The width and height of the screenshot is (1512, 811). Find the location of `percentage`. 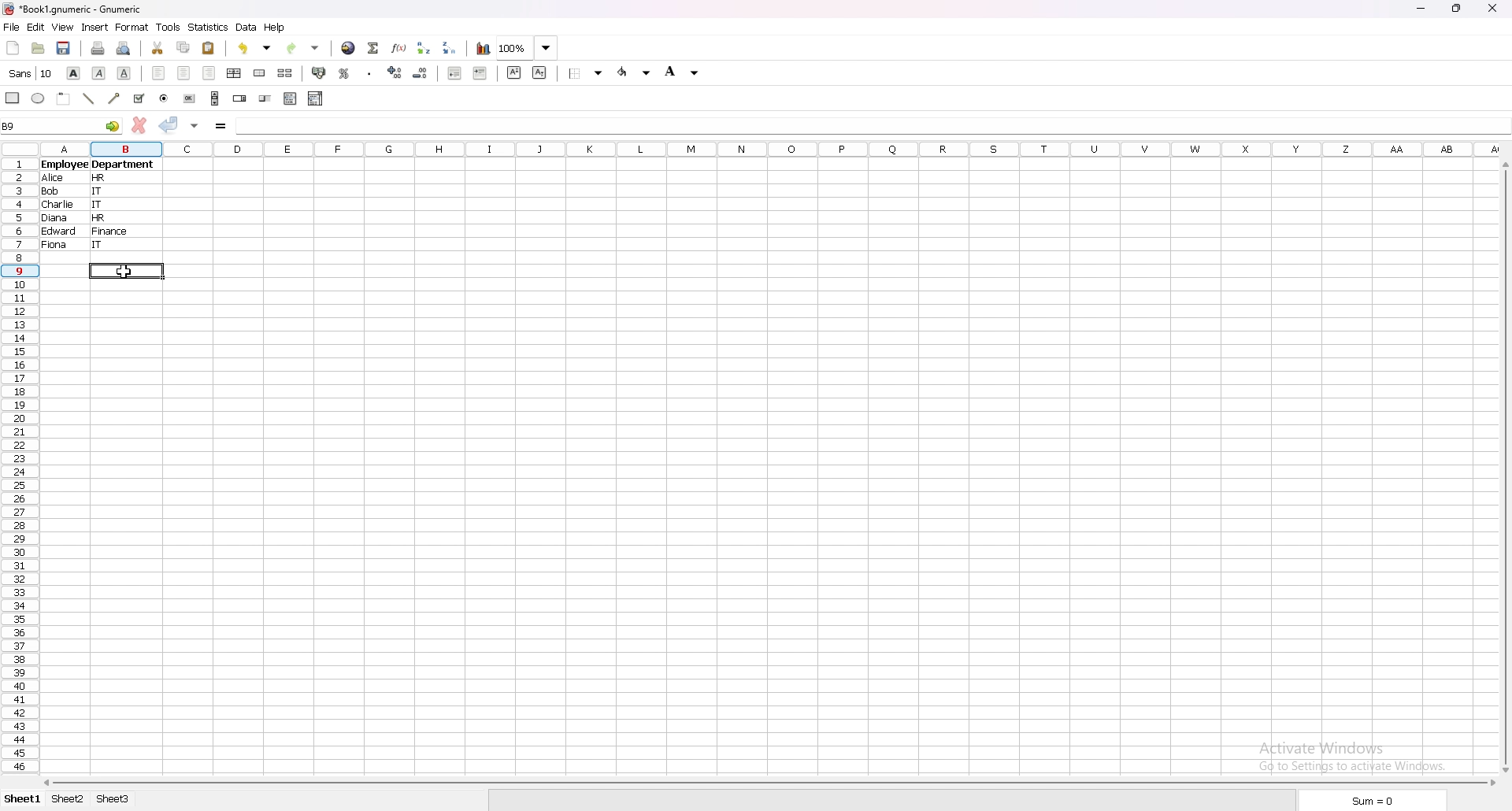

percentage is located at coordinates (344, 73).